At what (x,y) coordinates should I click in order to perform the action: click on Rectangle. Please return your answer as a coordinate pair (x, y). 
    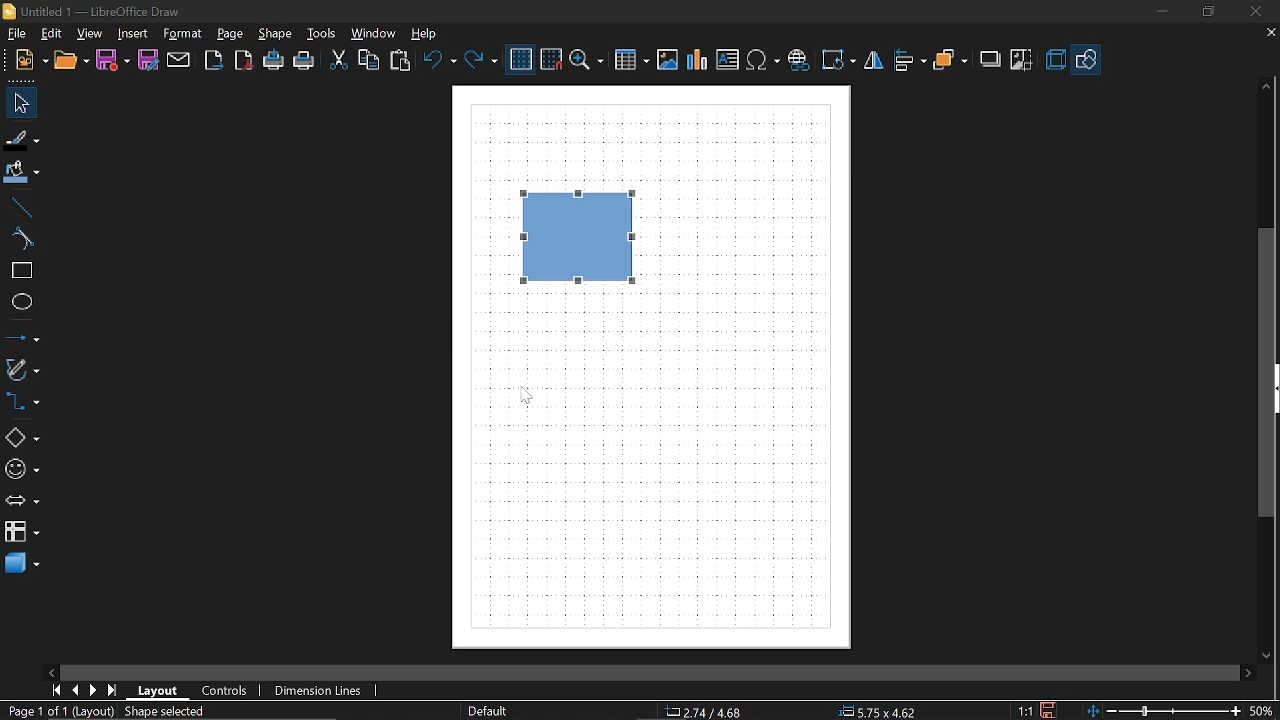
    Looking at the image, I should click on (18, 271).